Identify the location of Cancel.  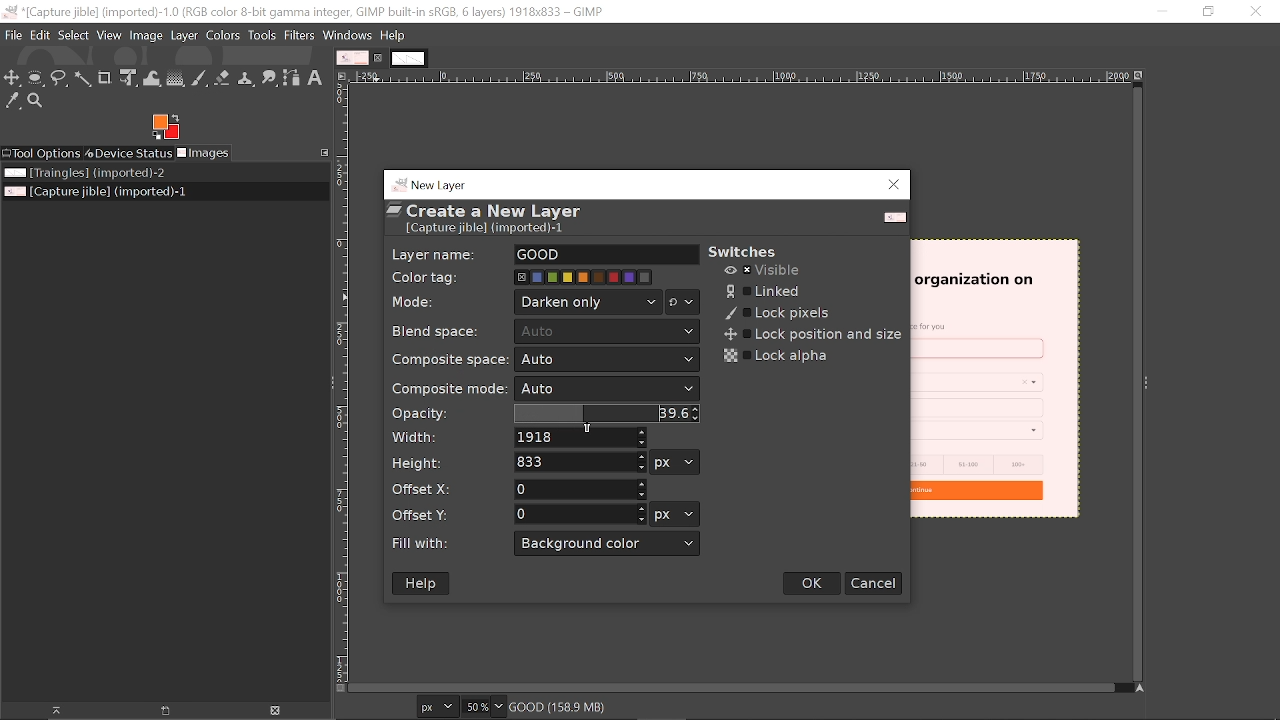
(874, 583).